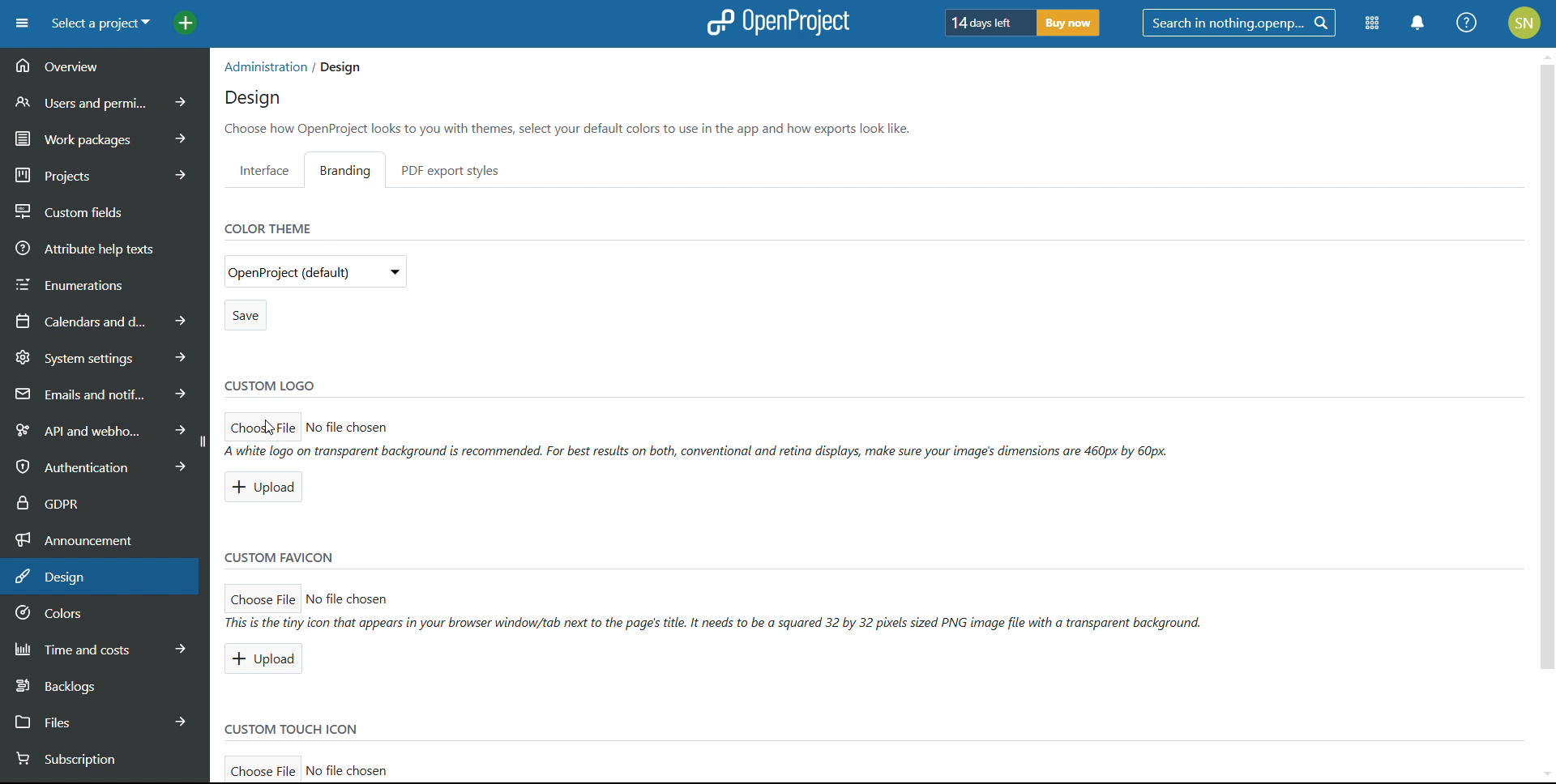 The image size is (1556, 784). What do you see at coordinates (358, 768) in the screenshot?
I see `No file chosen` at bounding box center [358, 768].